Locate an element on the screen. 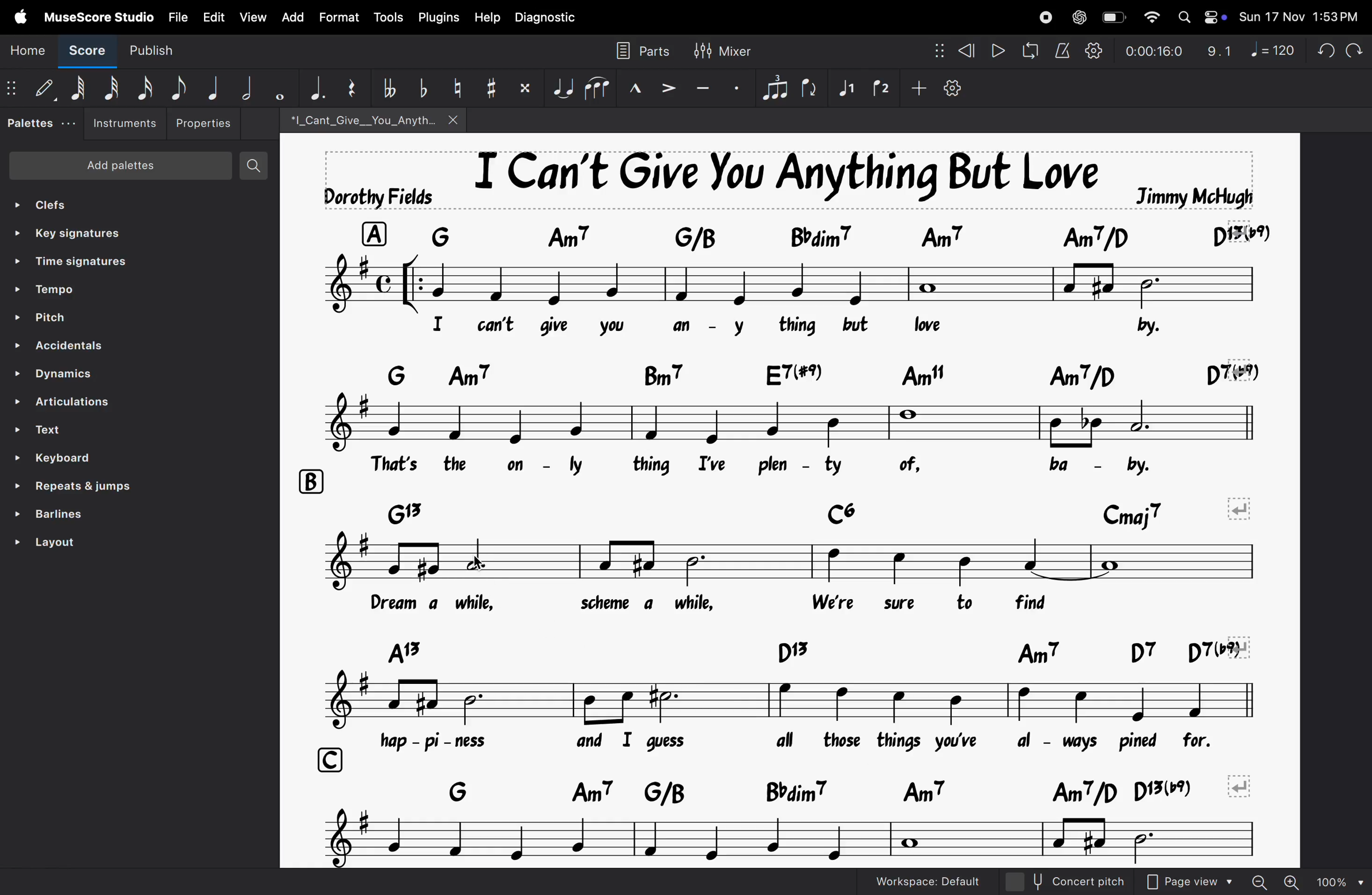 The image size is (1372, 895). keyboard notes is located at coordinates (748, 374).